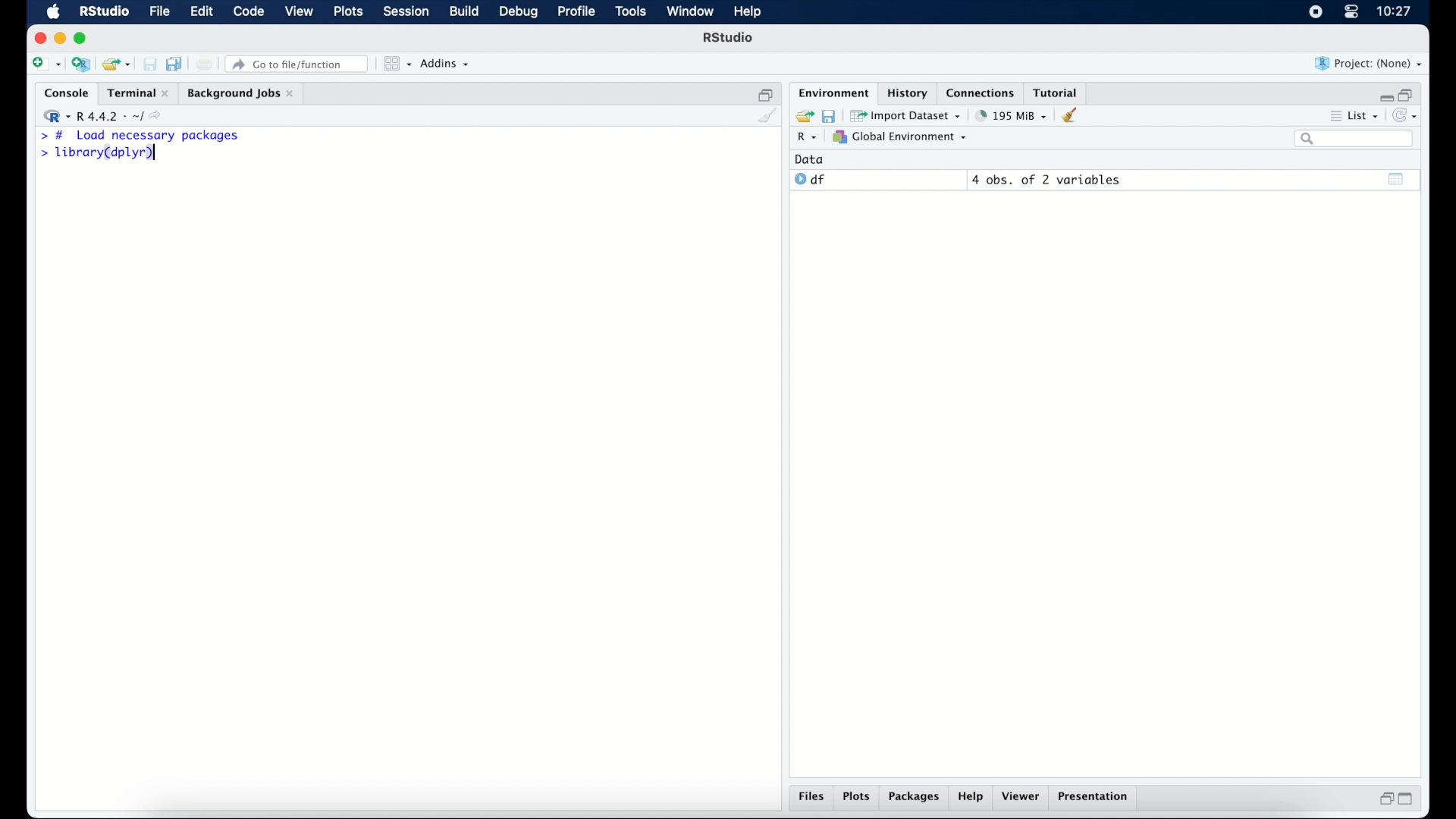  What do you see at coordinates (1353, 118) in the screenshot?
I see `list` at bounding box center [1353, 118].